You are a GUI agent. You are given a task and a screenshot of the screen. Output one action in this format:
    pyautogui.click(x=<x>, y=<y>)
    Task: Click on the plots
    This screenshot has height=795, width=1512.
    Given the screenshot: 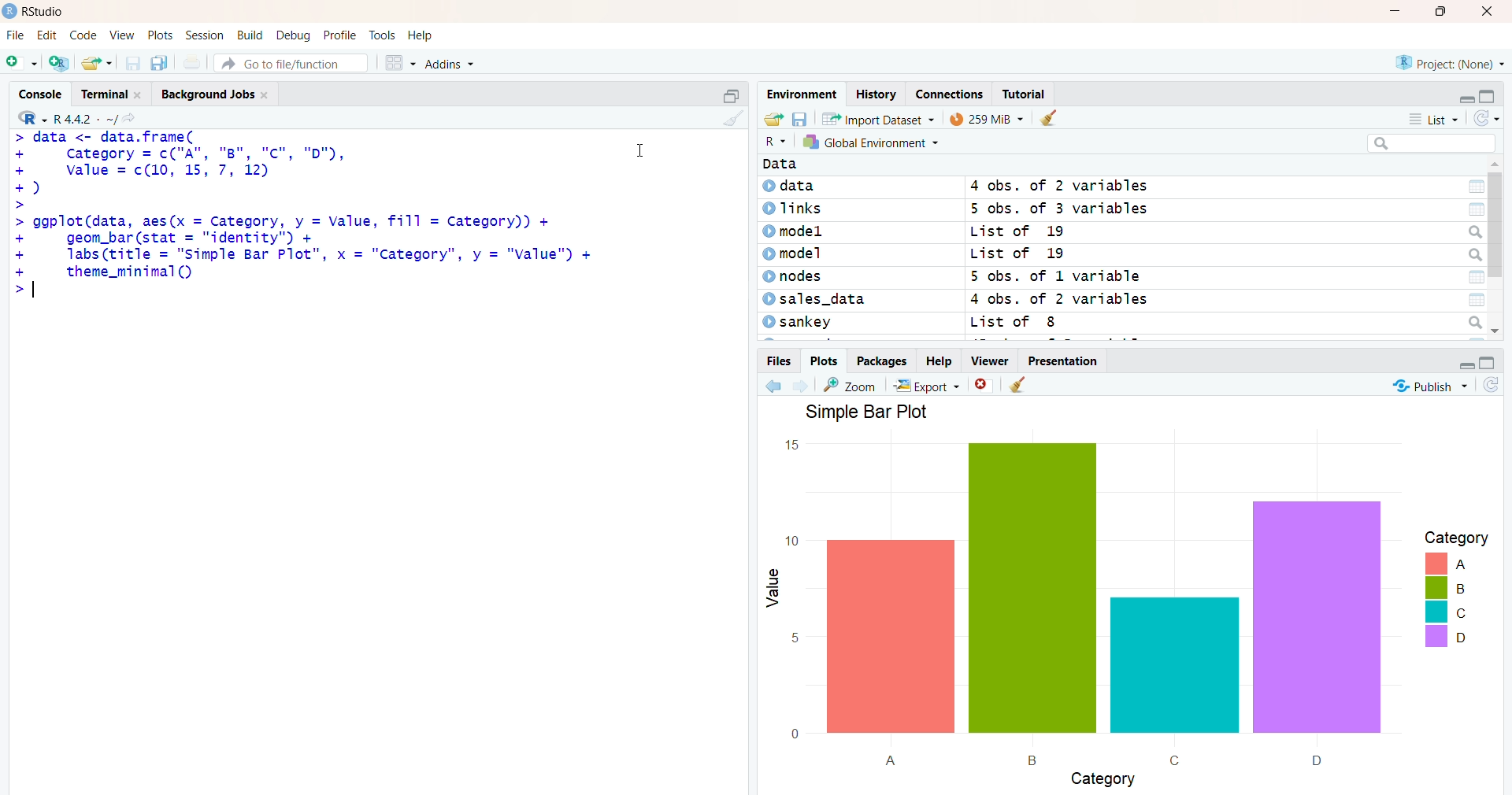 What is the action you would take?
    pyautogui.click(x=820, y=361)
    